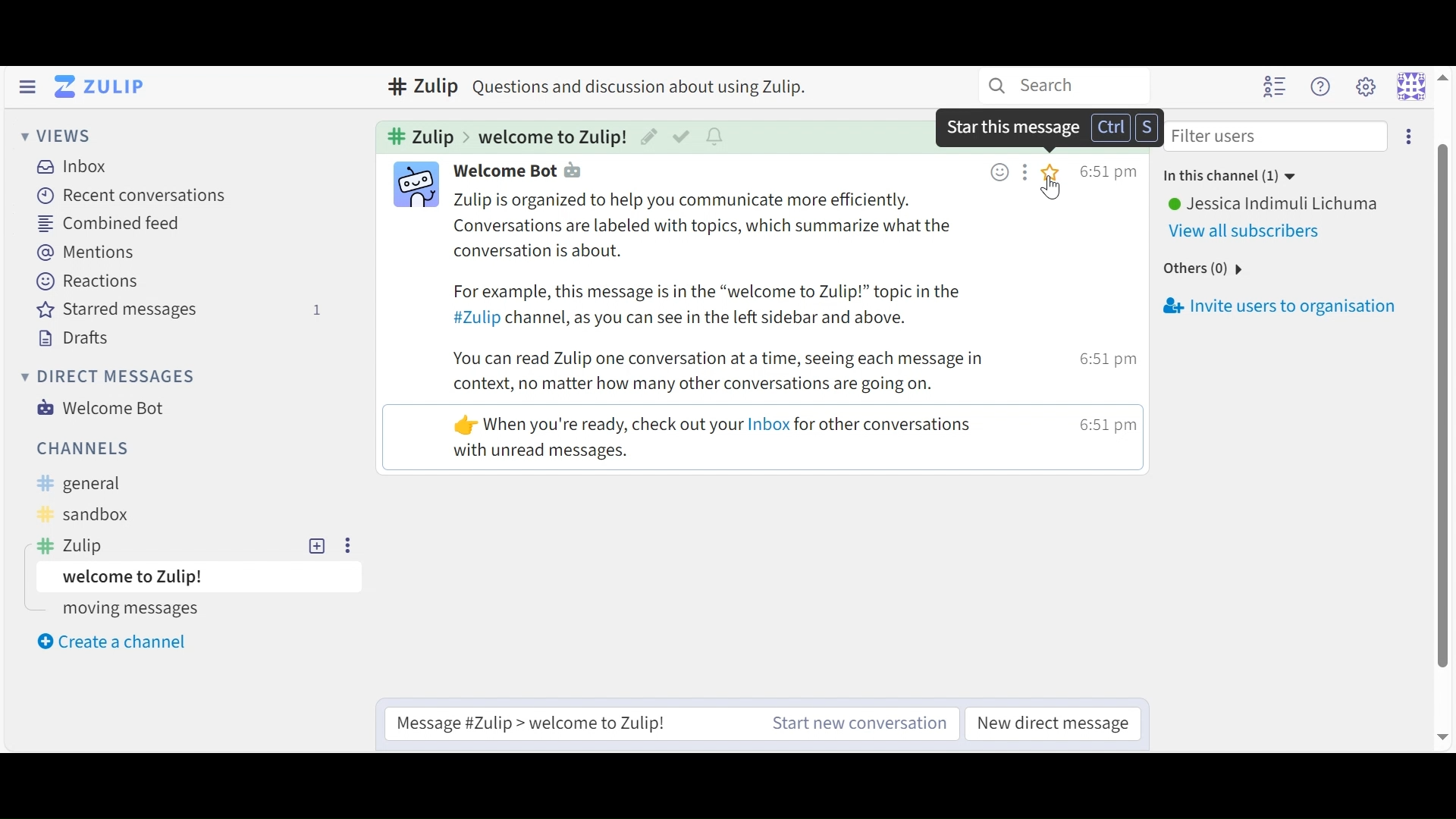  What do you see at coordinates (1276, 312) in the screenshot?
I see `Invite users to organisation` at bounding box center [1276, 312].